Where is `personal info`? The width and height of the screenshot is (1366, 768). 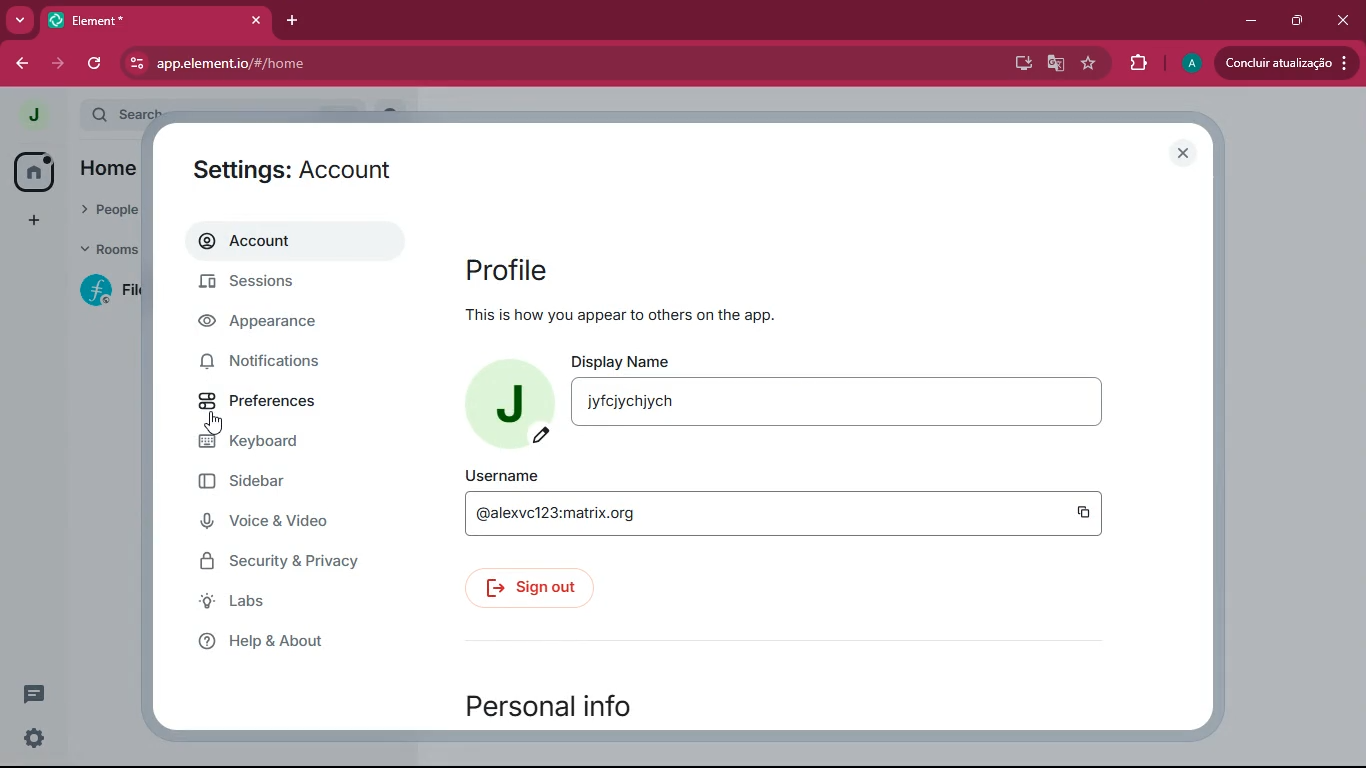 personal info is located at coordinates (565, 708).